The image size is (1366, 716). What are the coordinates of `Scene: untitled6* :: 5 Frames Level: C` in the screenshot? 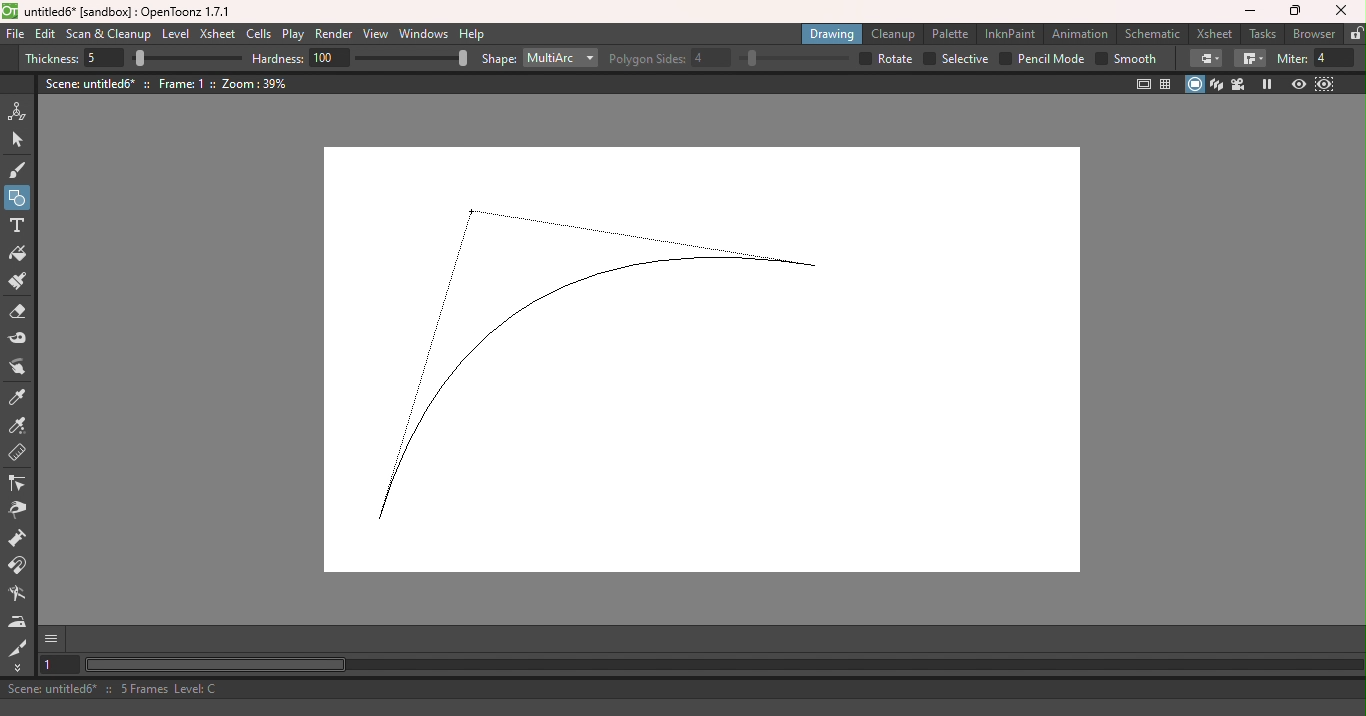 It's located at (681, 688).